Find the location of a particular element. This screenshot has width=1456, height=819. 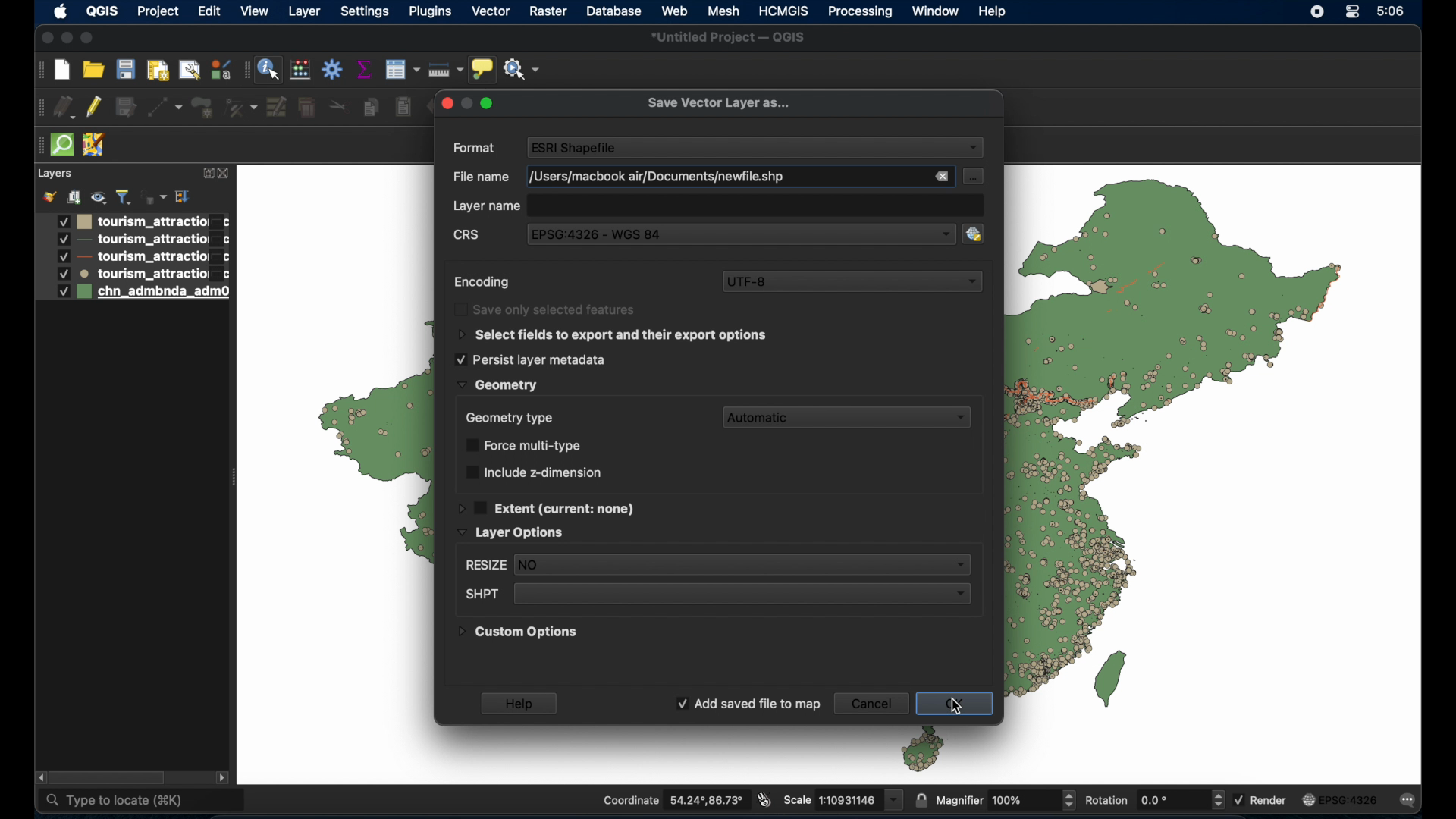

filter legend is located at coordinates (124, 197).